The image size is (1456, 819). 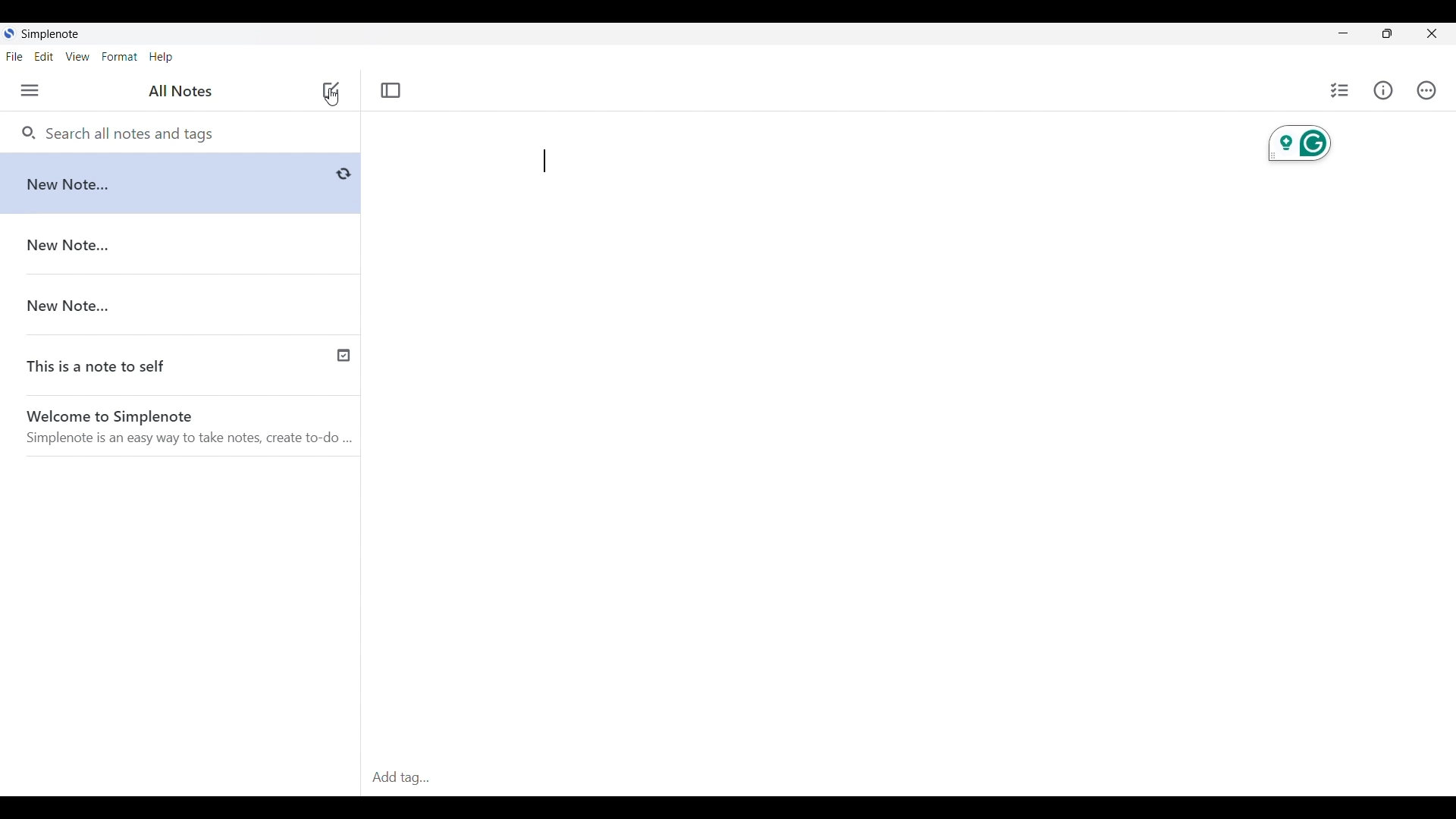 What do you see at coordinates (545, 160) in the screenshot?
I see `Text cursor` at bounding box center [545, 160].